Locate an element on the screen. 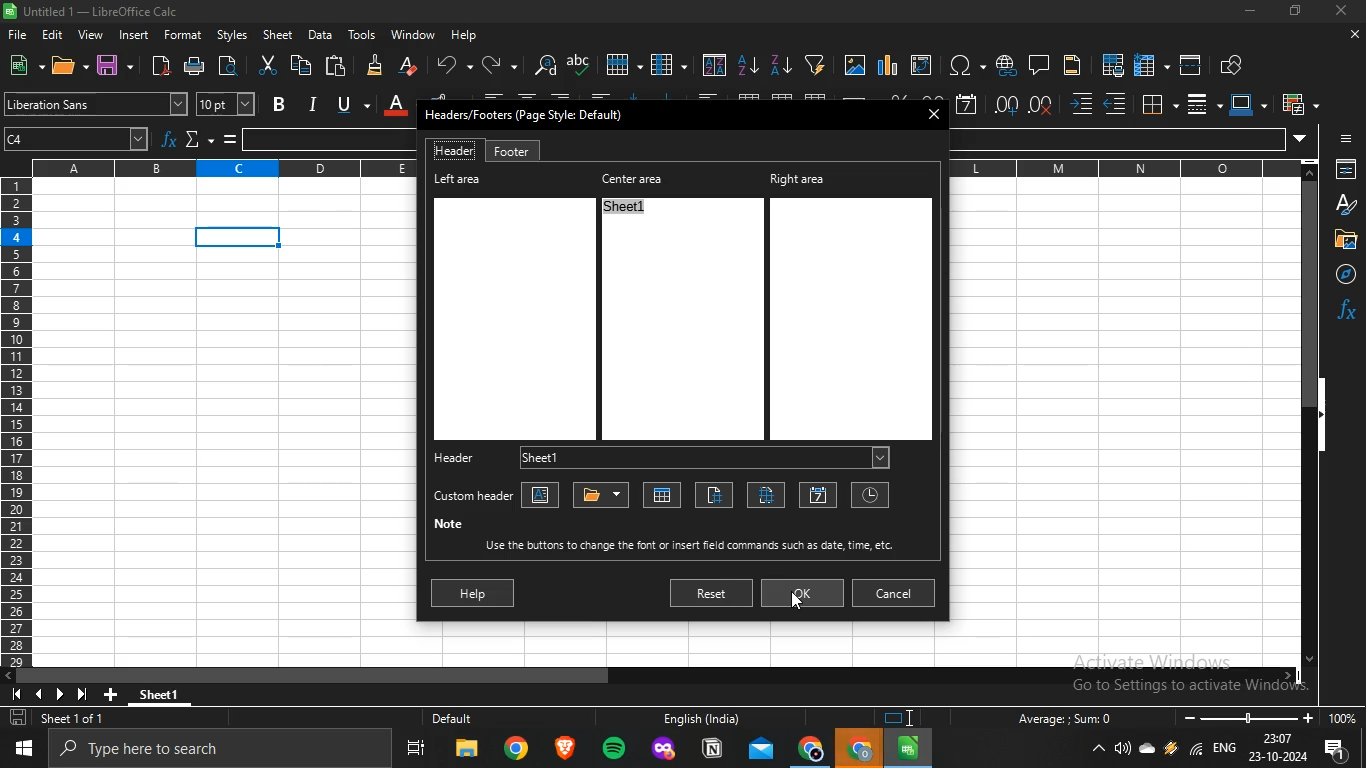 The width and height of the screenshot is (1366, 768). English (India) is located at coordinates (700, 719).